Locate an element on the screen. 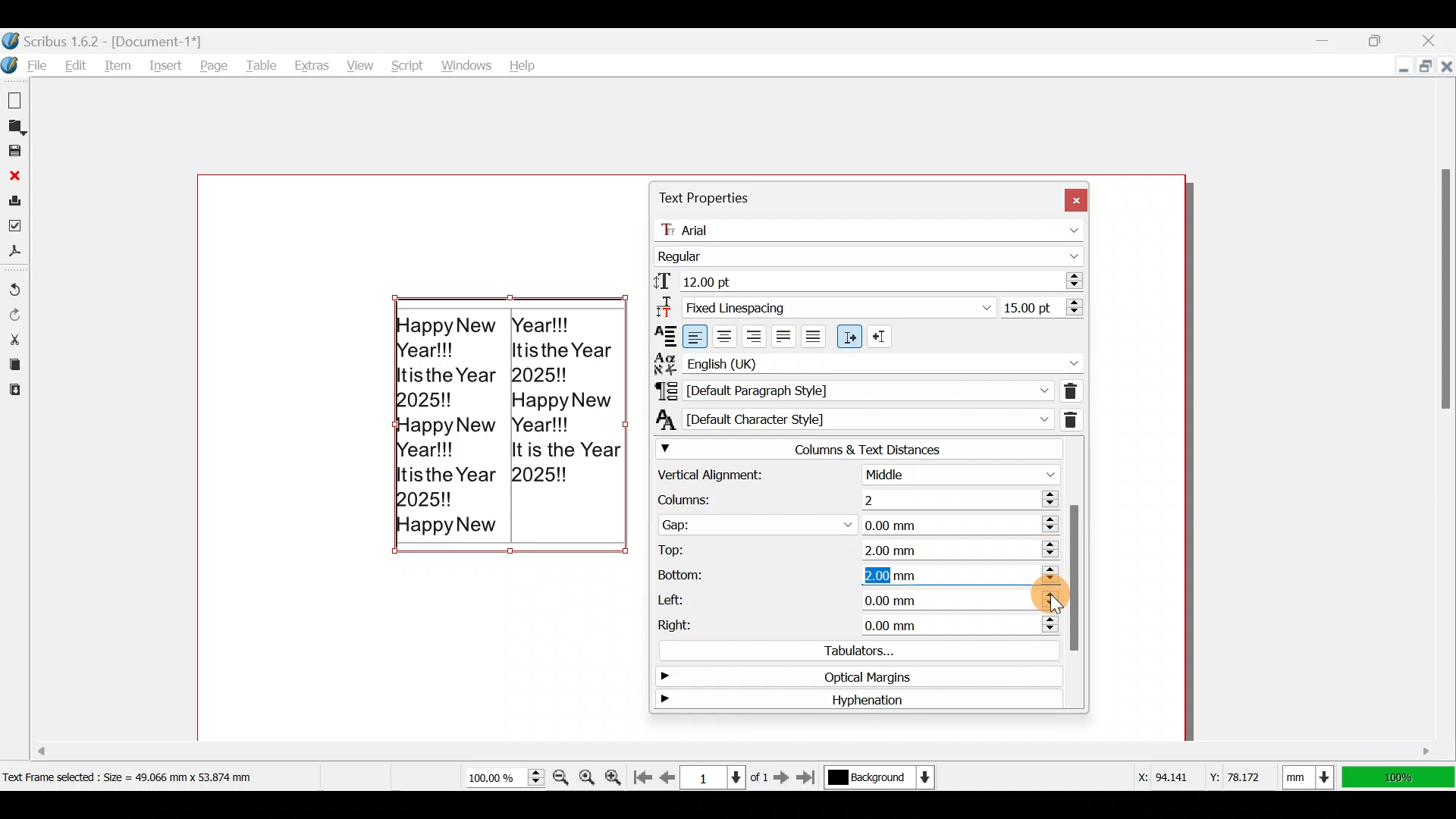  Columns is located at coordinates (850, 497).